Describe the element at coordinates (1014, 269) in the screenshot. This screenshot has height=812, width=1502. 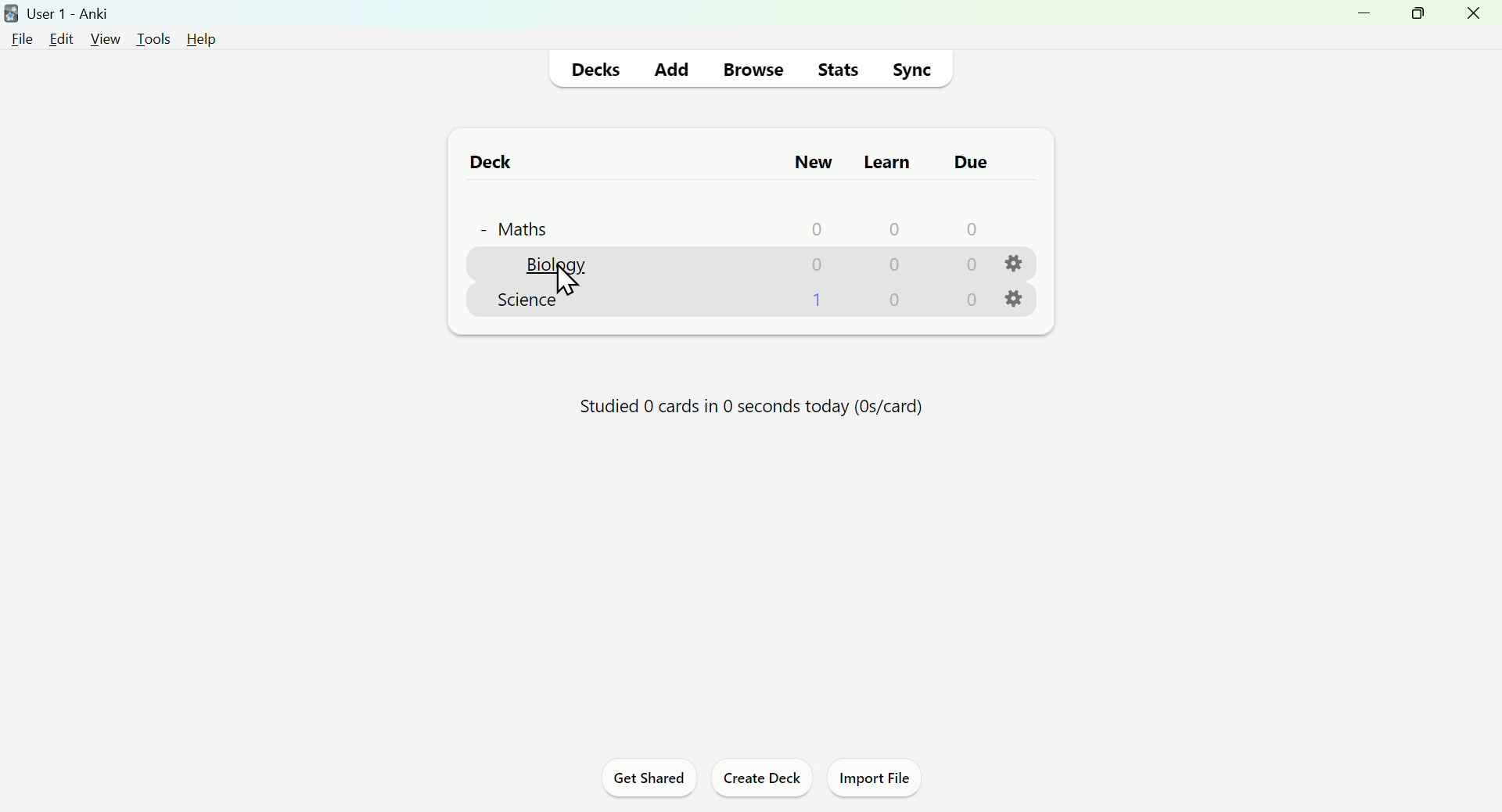
I see `settings` at that location.